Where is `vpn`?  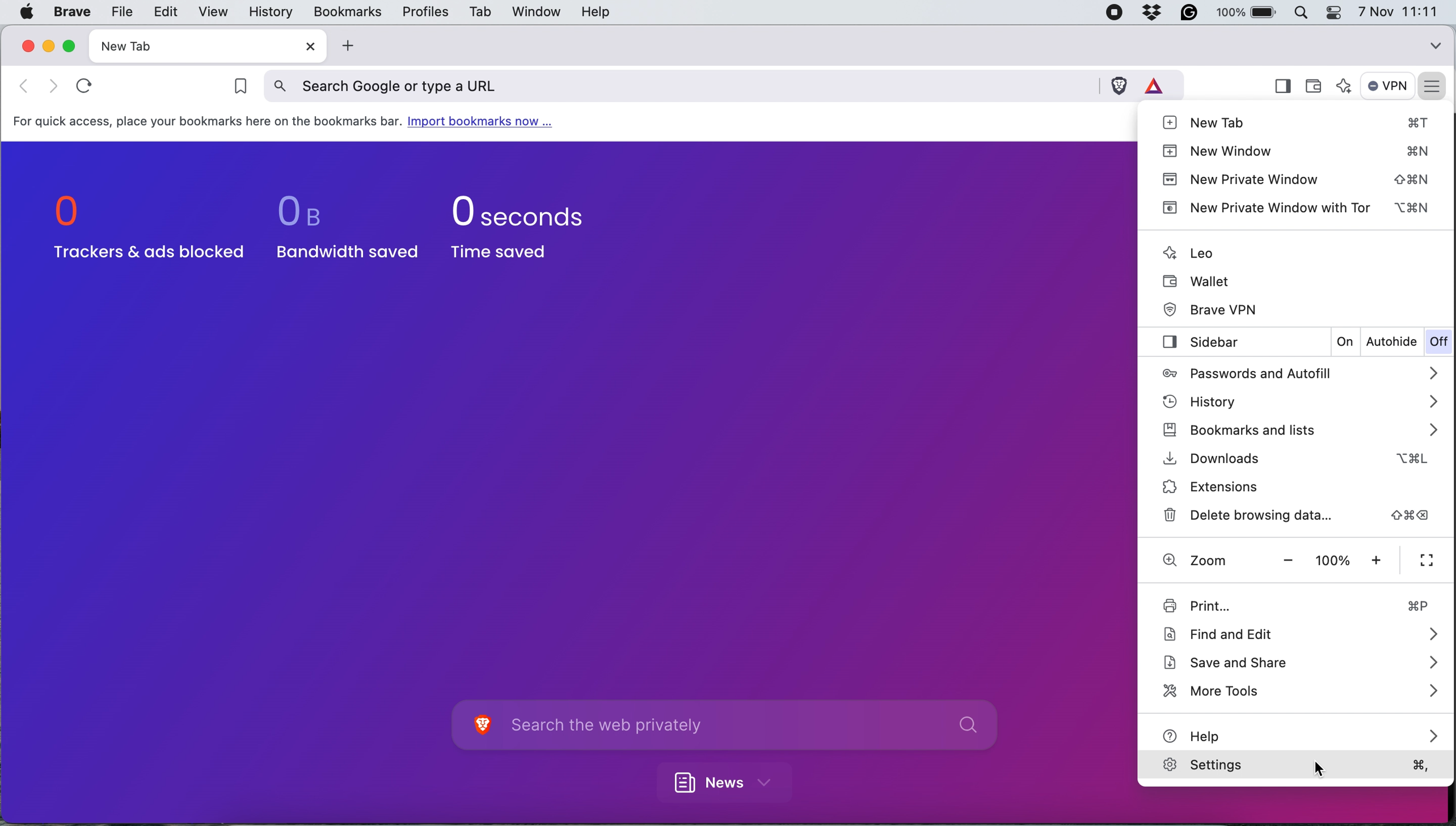 vpn is located at coordinates (1389, 86).